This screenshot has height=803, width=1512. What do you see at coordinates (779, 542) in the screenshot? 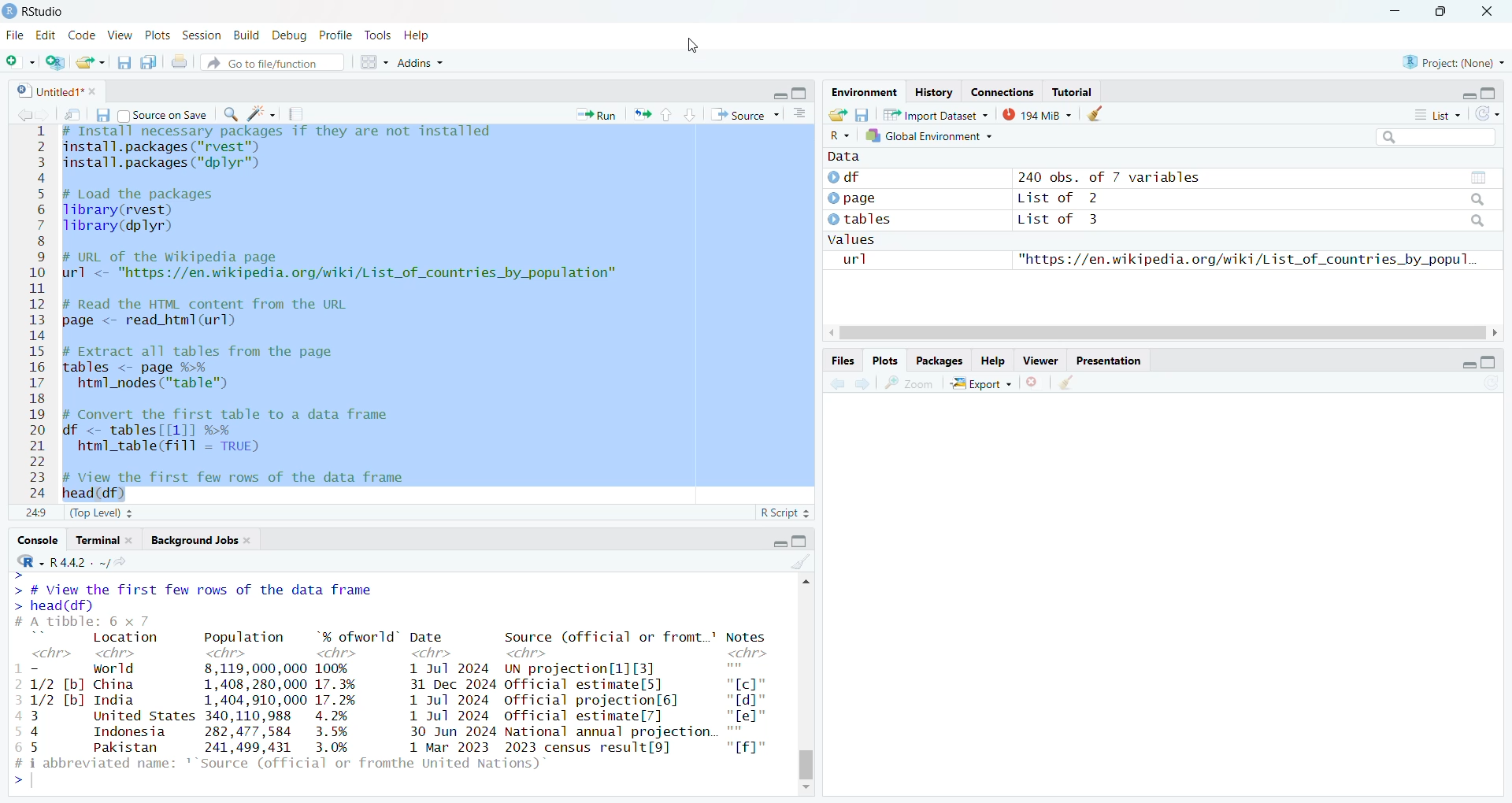
I see `minimize` at bounding box center [779, 542].